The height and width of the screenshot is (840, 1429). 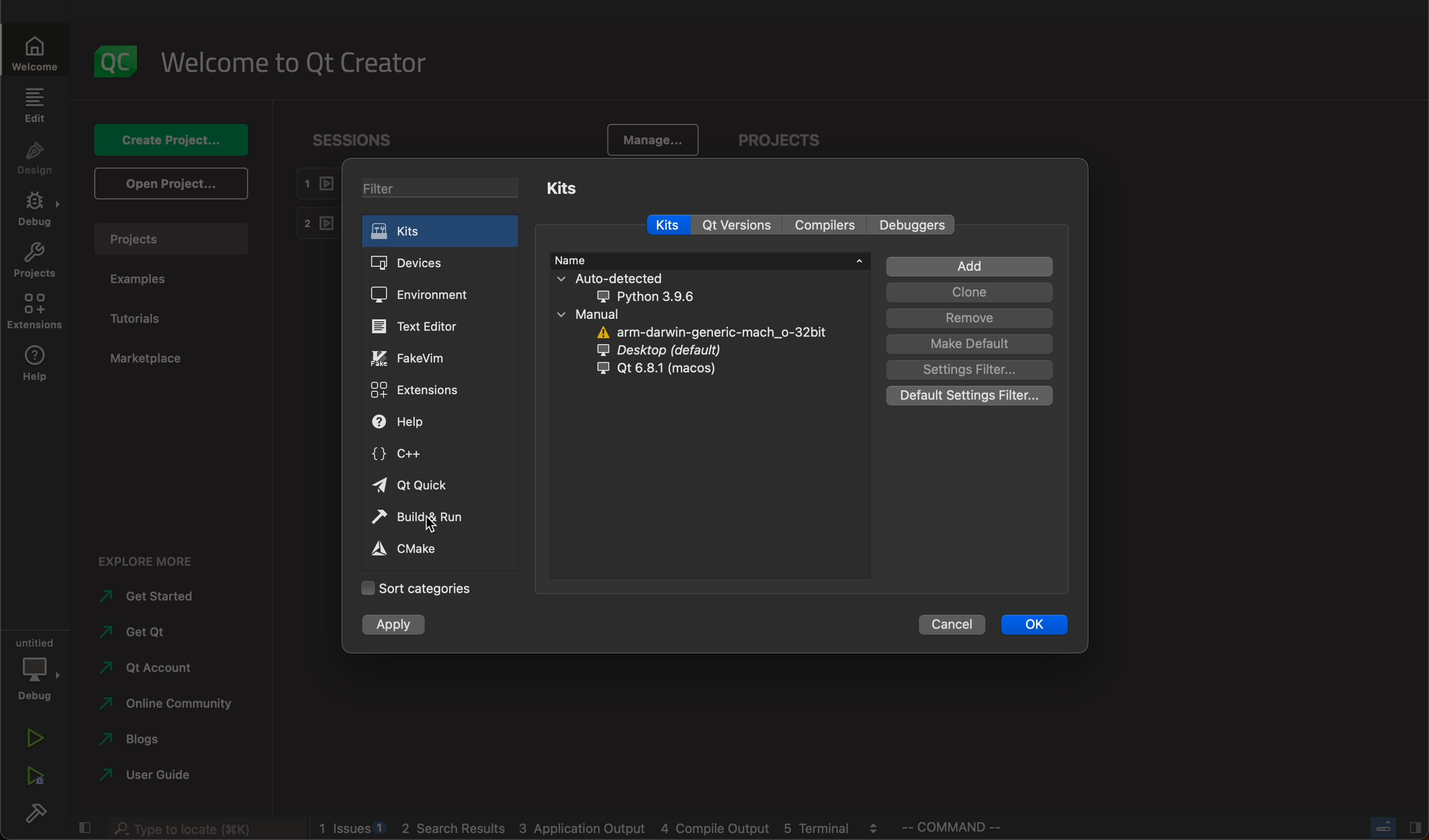 I want to click on open, so click(x=168, y=184).